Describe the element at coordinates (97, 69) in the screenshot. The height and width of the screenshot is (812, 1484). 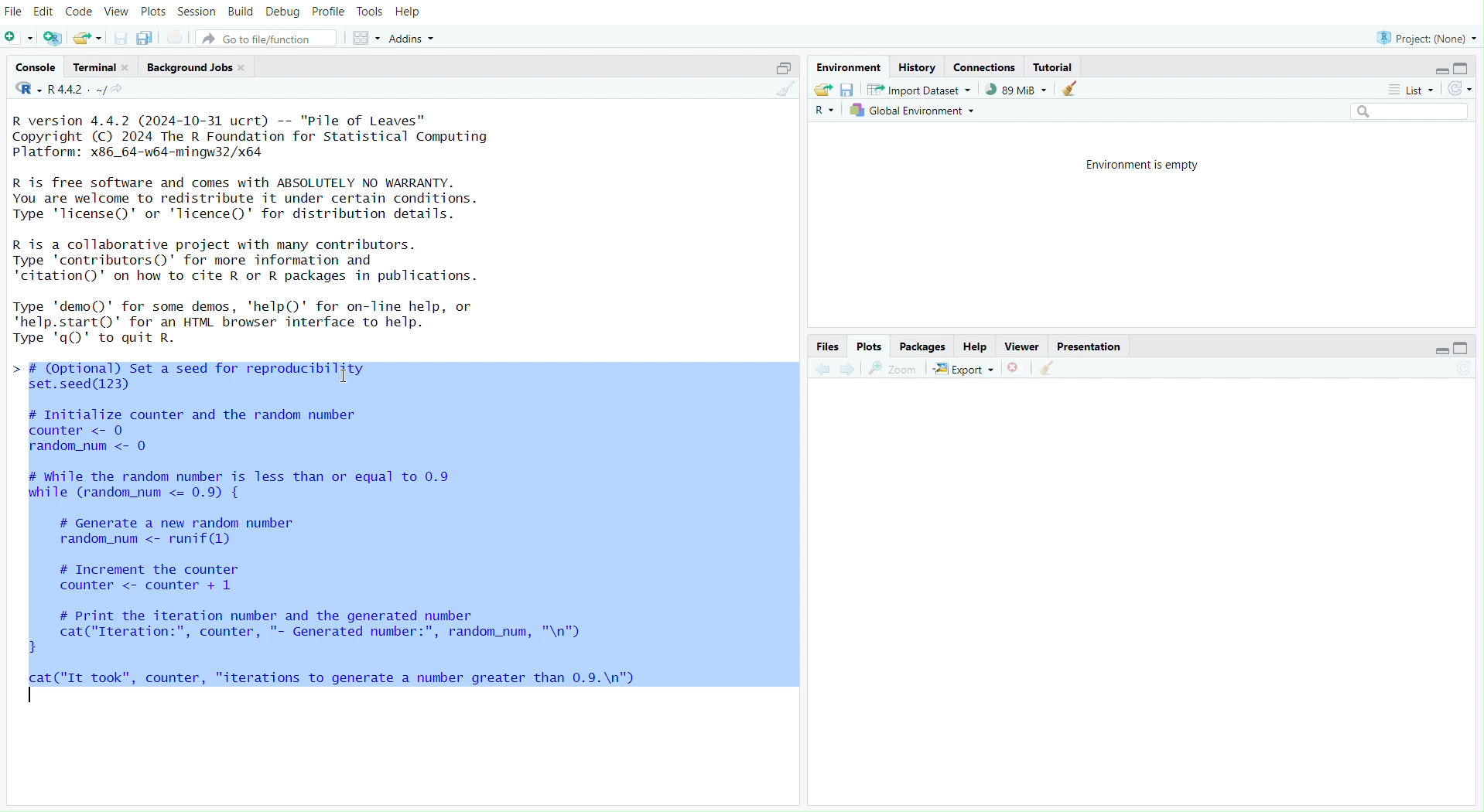
I see `Terminal` at that location.